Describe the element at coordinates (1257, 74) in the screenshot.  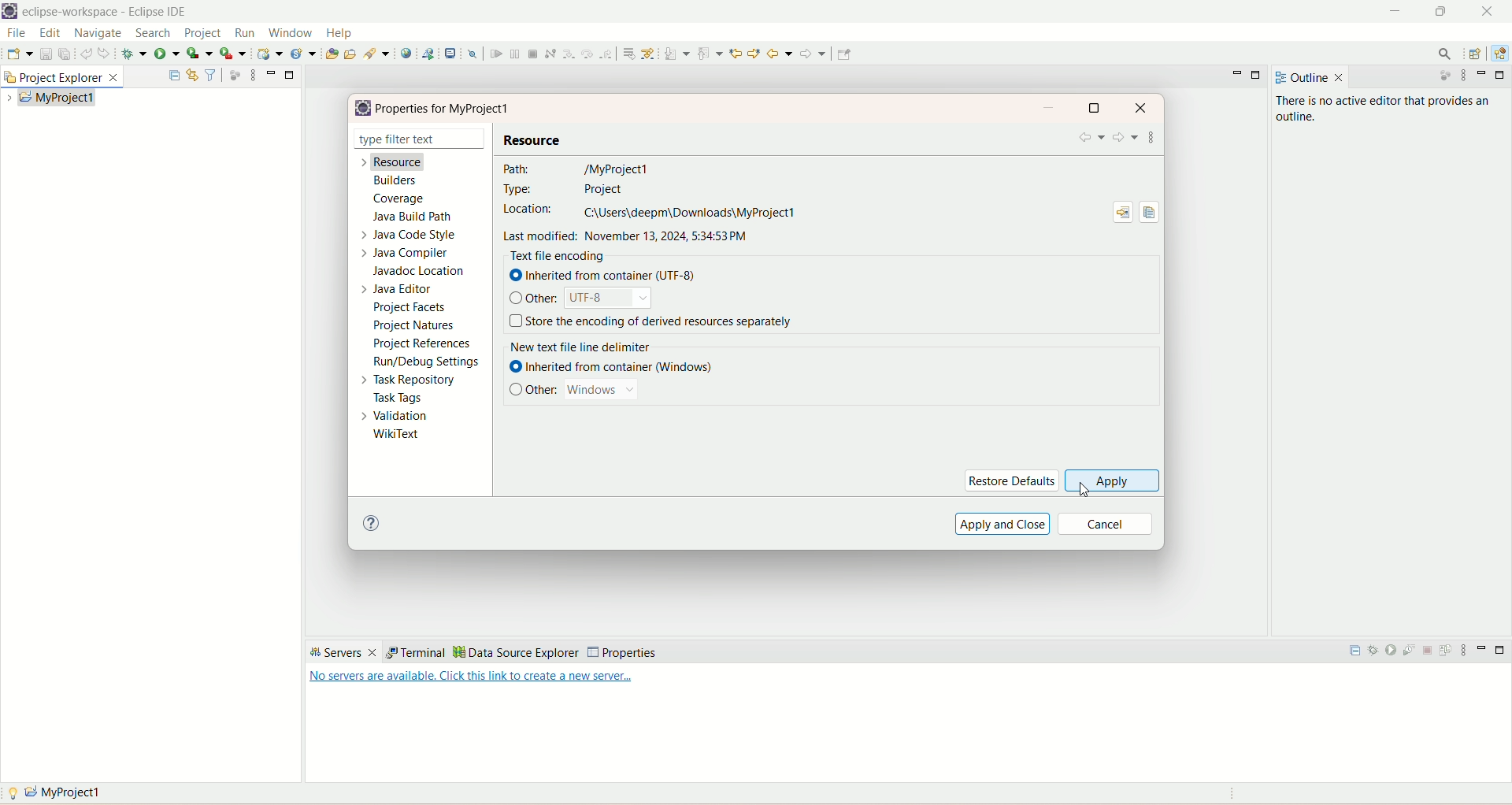
I see `maximize` at that location.